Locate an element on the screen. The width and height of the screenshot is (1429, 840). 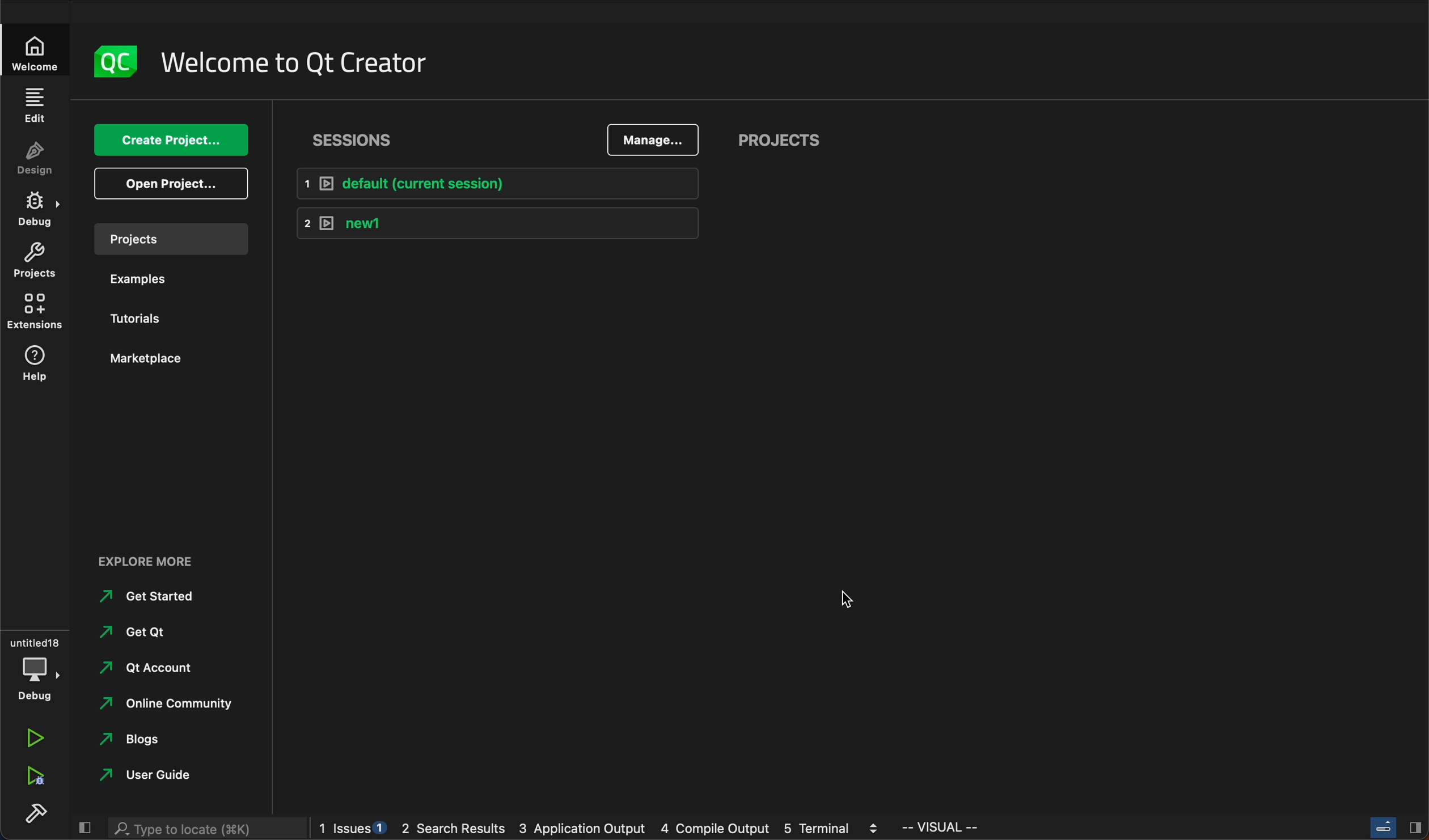
build is located at coordinates (32, 810).